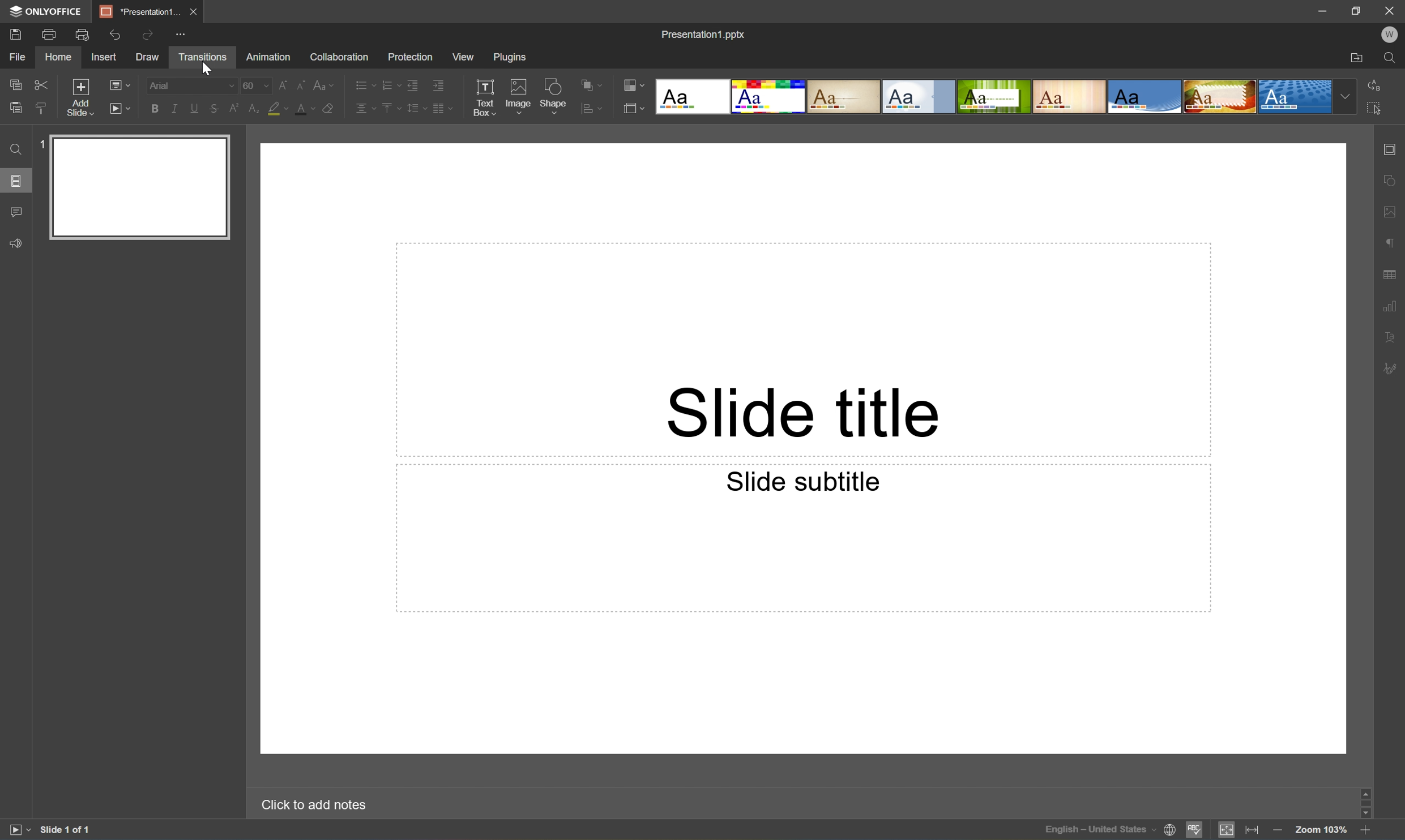 The width and height of the screenshot is (1405, 840). Describe the element at coordinates (322, 86) in the screenshot. I see `Change case` at that location.